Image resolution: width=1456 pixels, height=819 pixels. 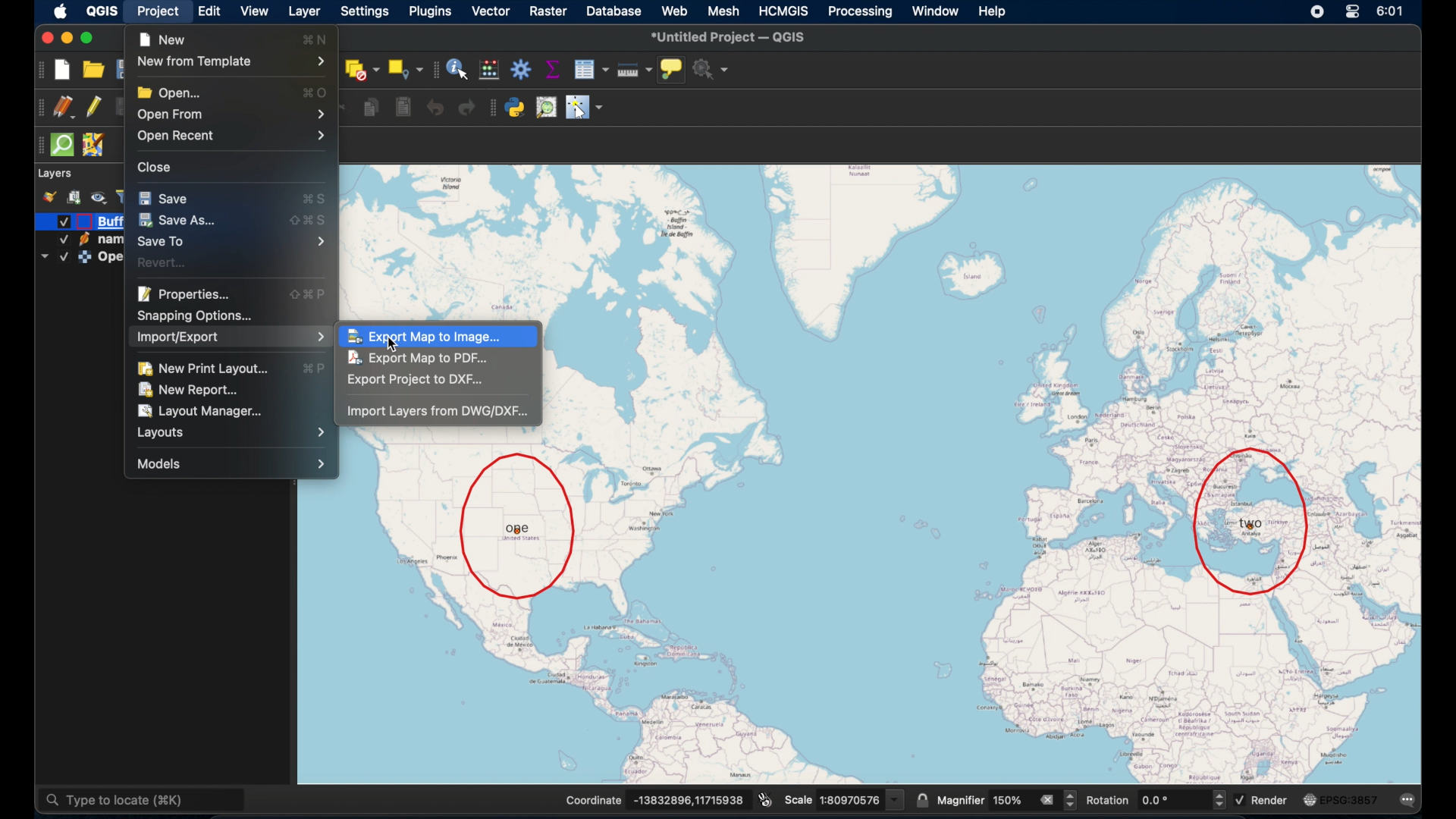 What do you see at coordinates (862, 11) in the screenshot?
I see `processing` at bounding box center [862, 11].